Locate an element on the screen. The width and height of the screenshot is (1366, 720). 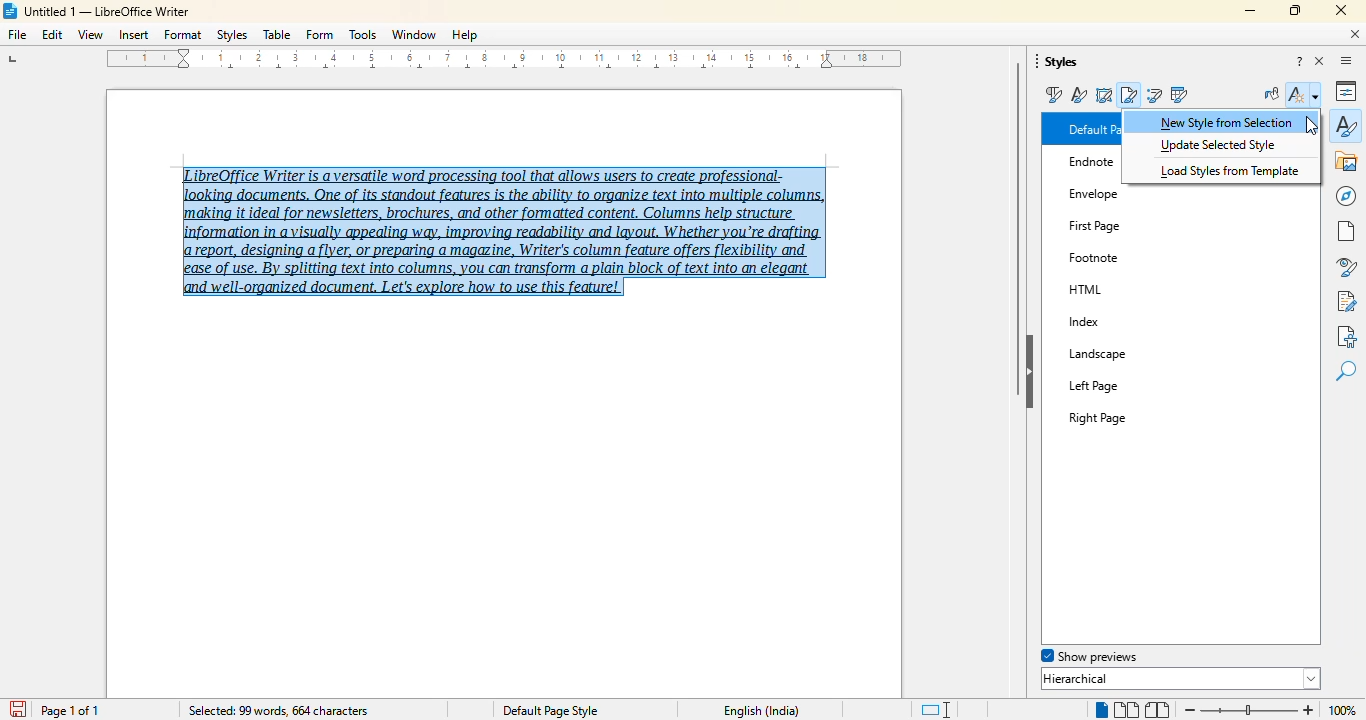
properties is located at coordinates (1348, 90).